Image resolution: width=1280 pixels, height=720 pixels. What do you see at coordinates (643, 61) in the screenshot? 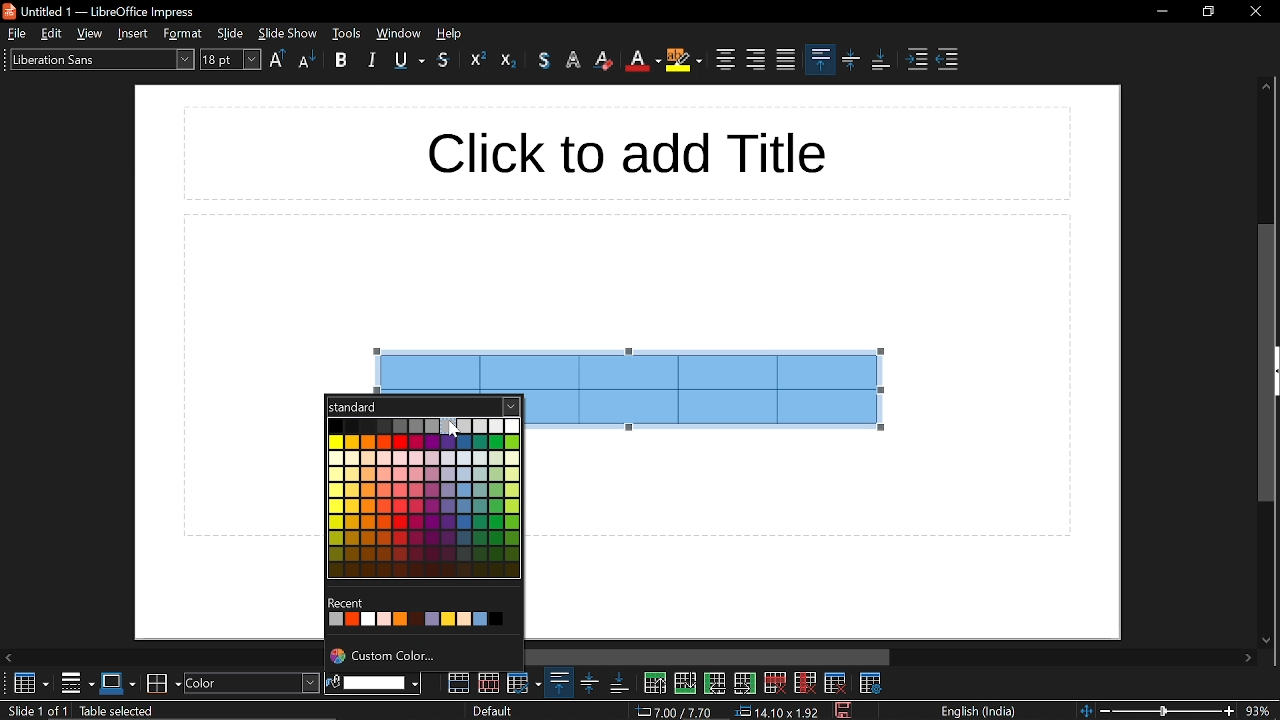
I see `text color` at bounding box center [643, 61].